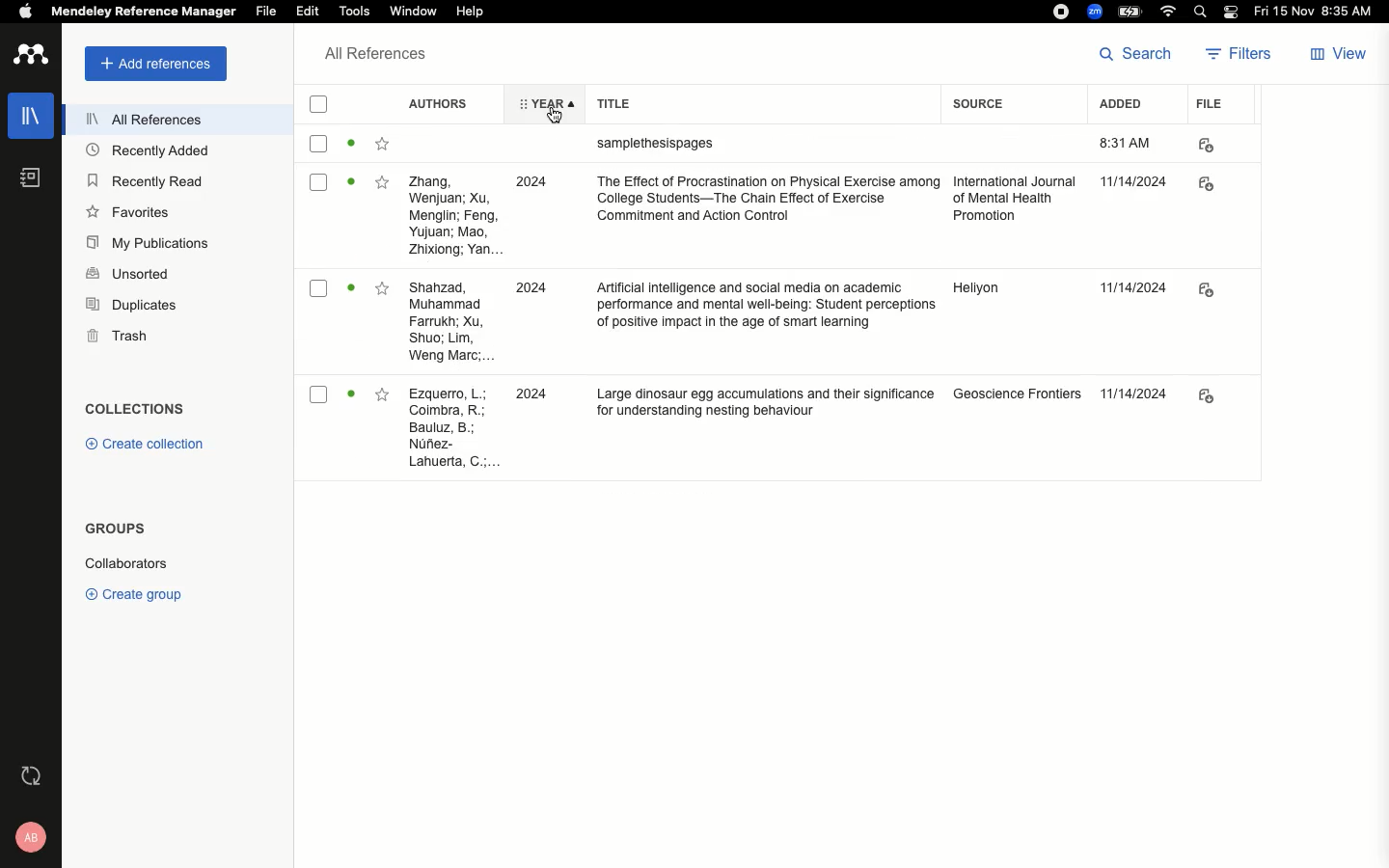 This screenshot has width=1389, height=868. I want to click on authors label, so click(442, 103).